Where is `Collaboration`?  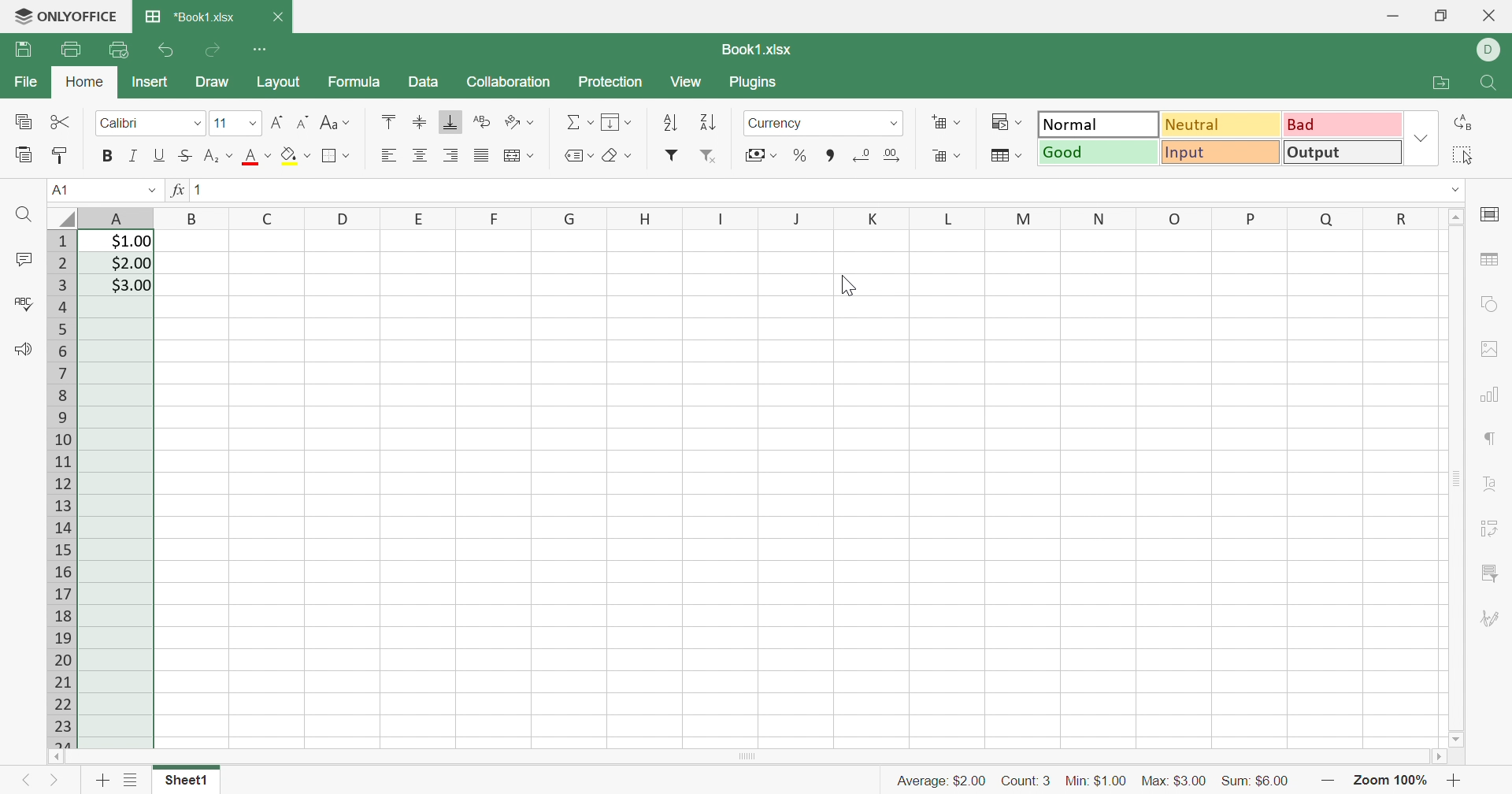 Collaboration is located at coordinates (510, 82).